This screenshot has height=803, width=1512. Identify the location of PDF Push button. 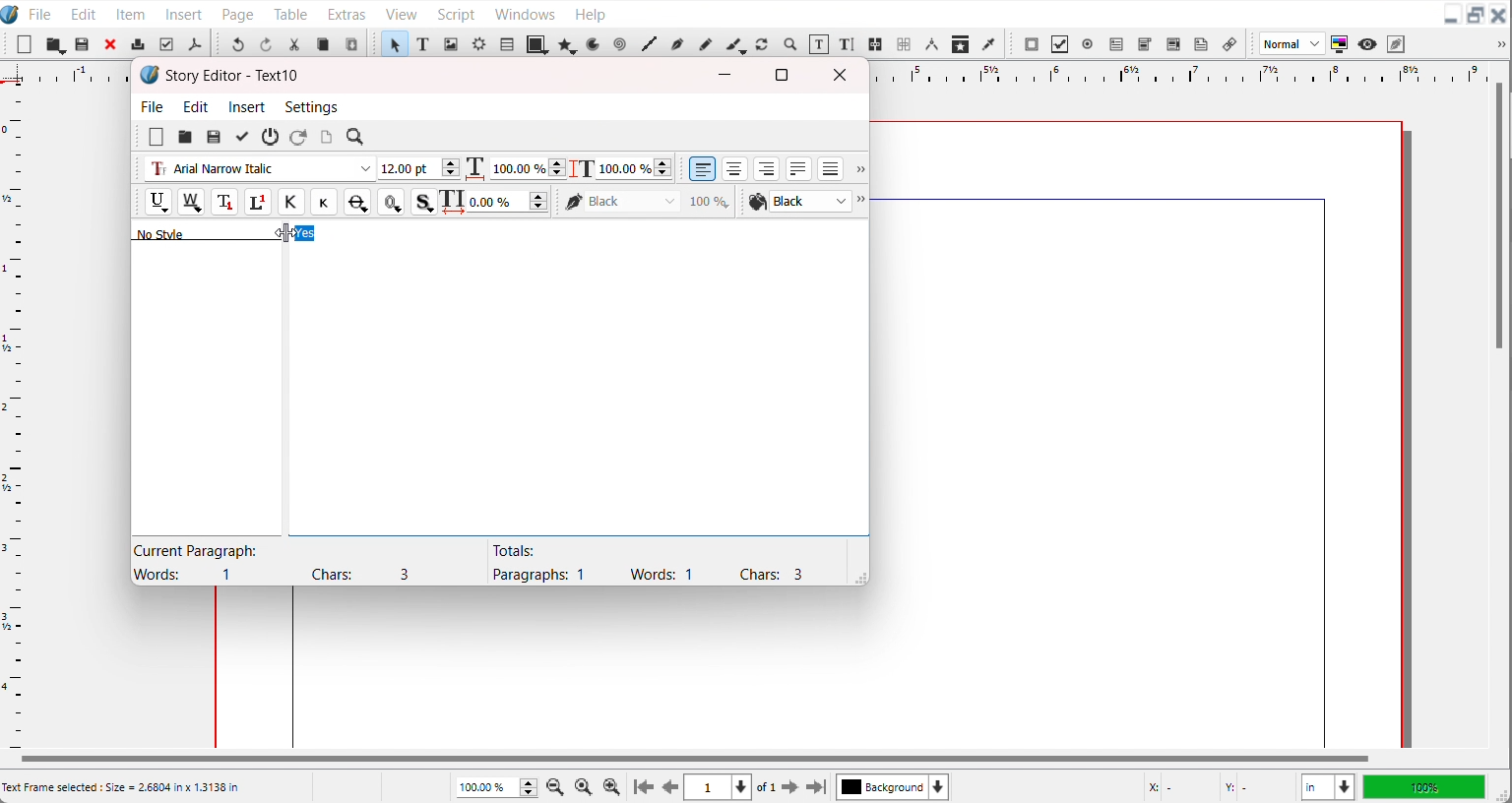
(1032, 43).